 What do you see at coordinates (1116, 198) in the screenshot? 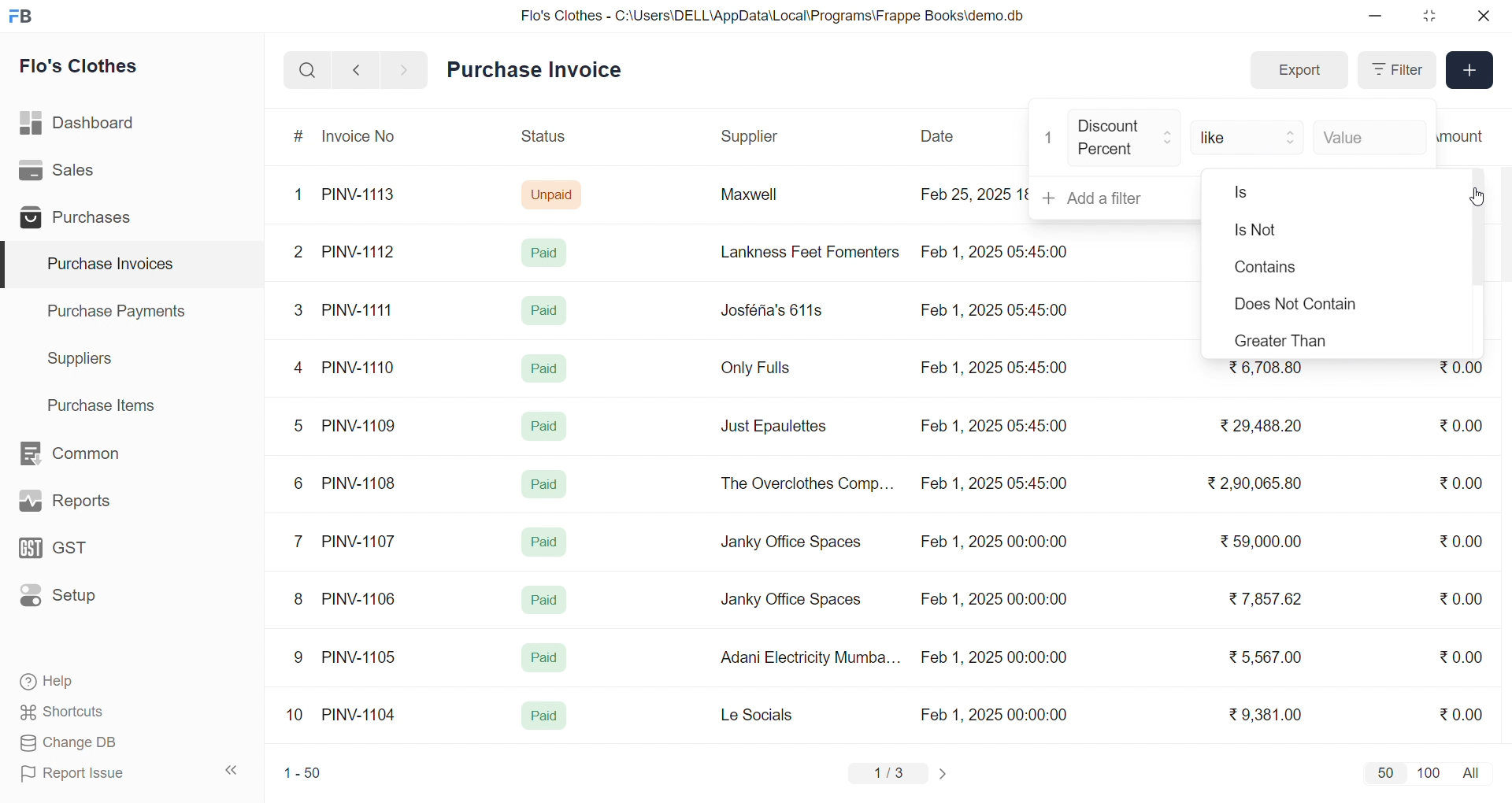
I see `+ Add a filter` at bounding box center [1116, 198].